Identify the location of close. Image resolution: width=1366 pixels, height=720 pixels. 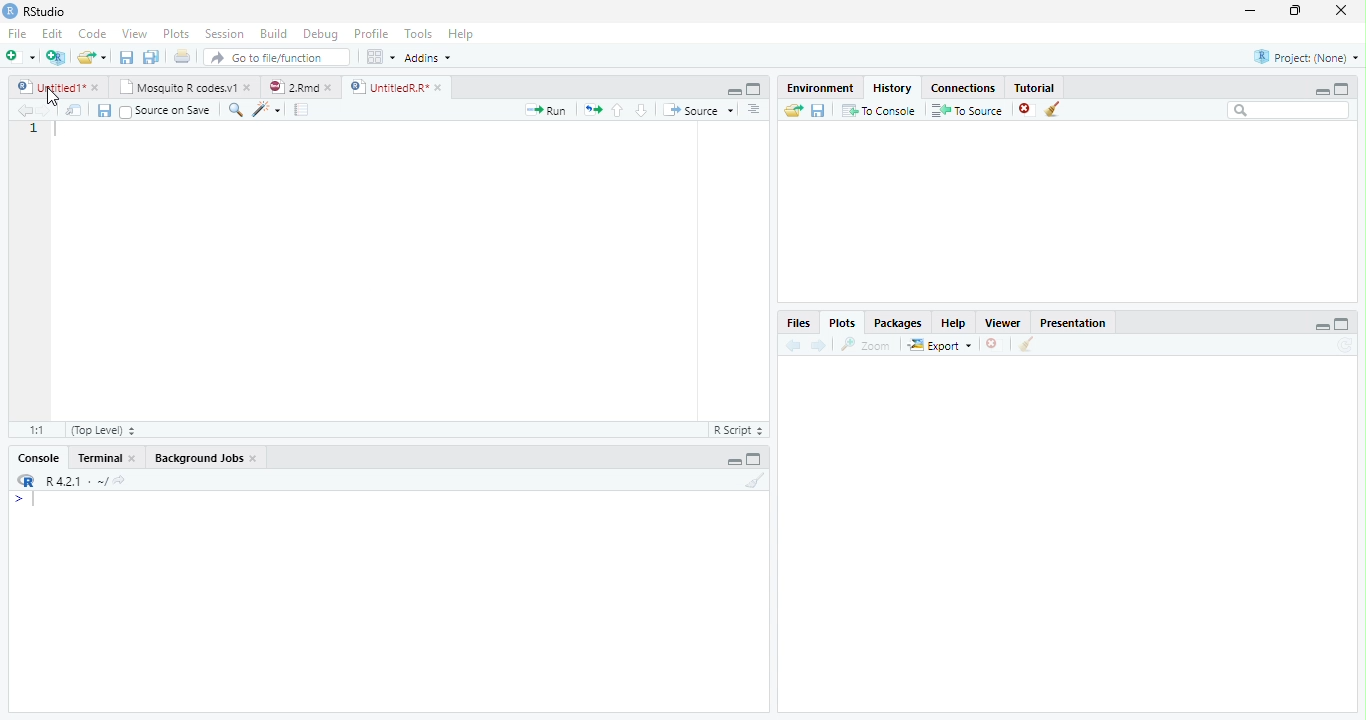
(1026, 110).